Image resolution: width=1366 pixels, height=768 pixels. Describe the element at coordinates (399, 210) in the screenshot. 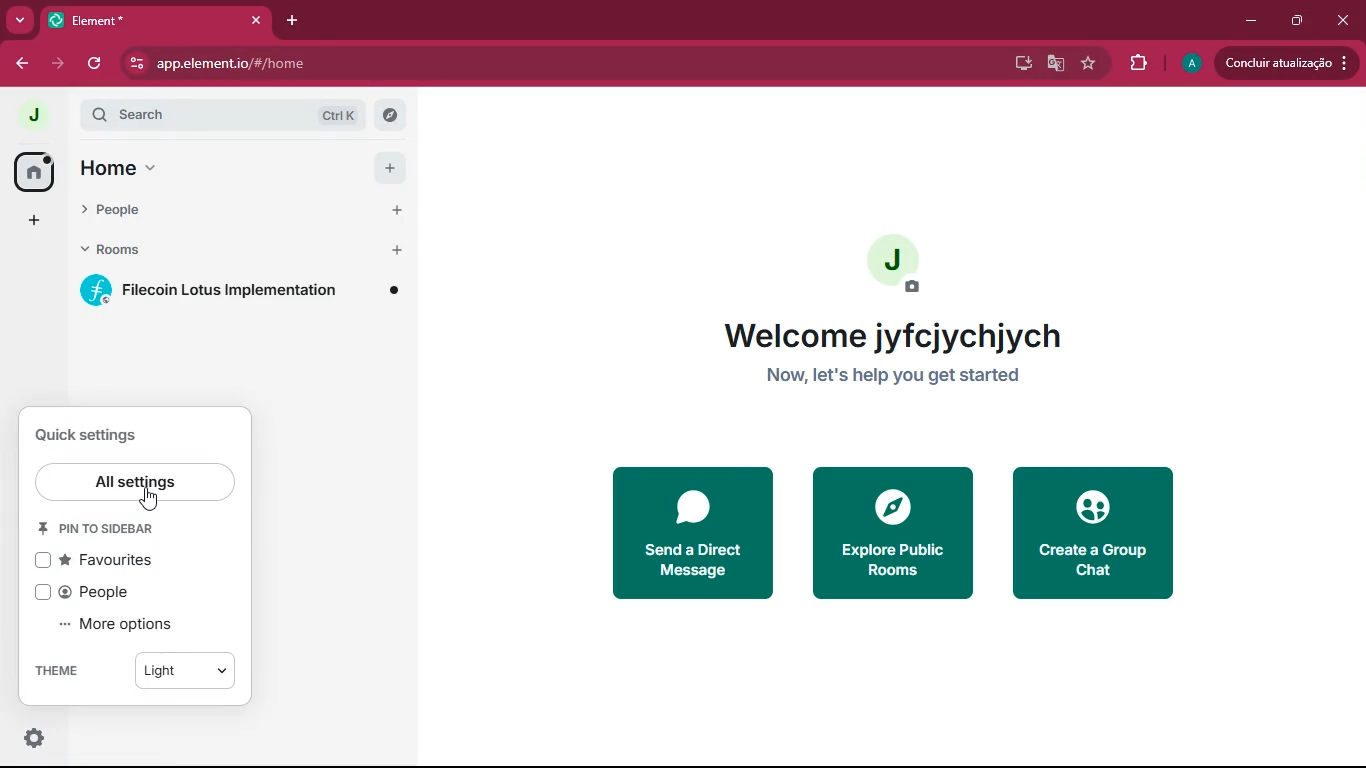

I see `add` at that location.